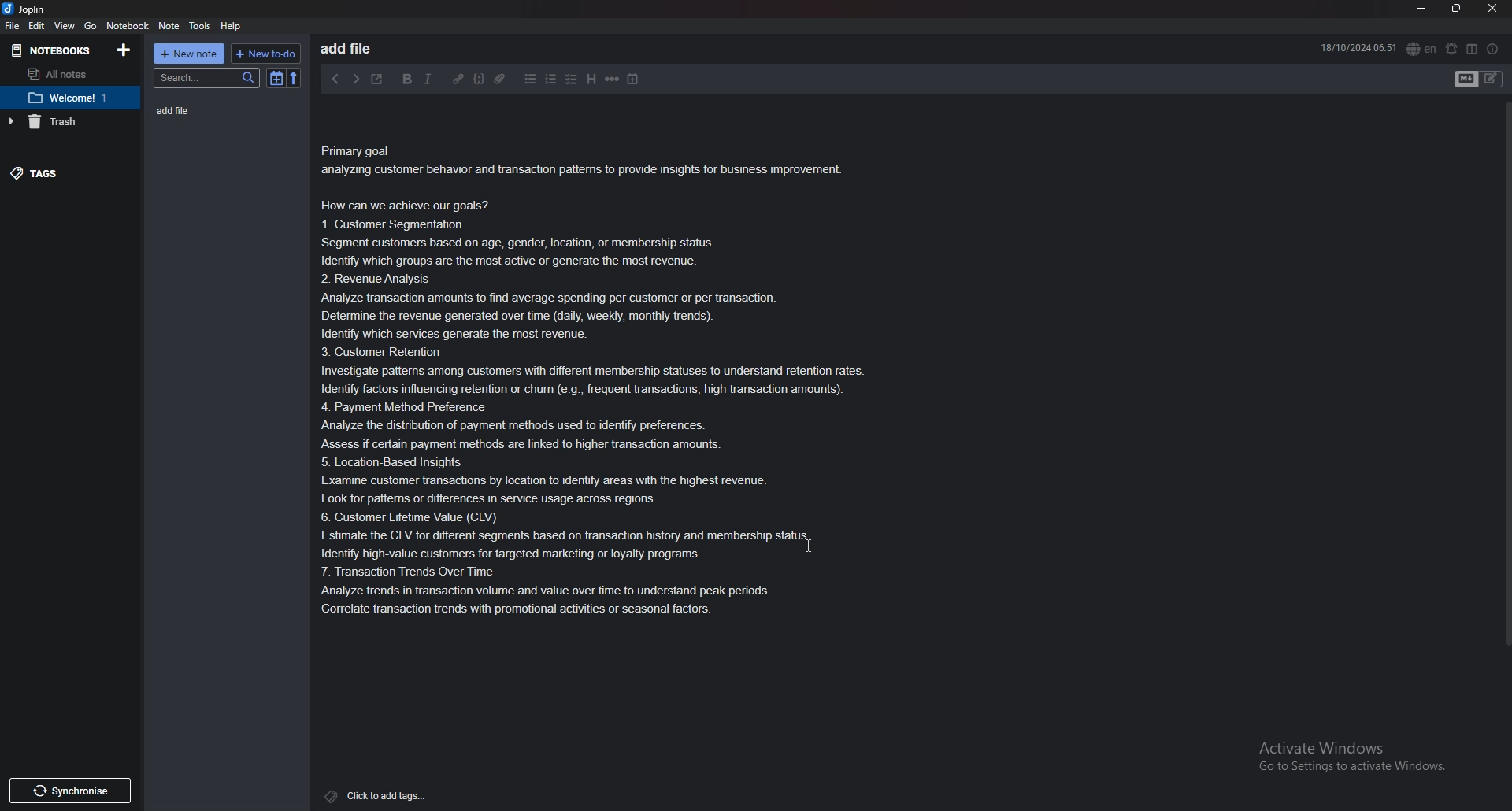 The image size is (1512, 811). What do you see at coordinates (128, 27) in the screenshot?
I see `Notebook` at bounding box center [128, 27].